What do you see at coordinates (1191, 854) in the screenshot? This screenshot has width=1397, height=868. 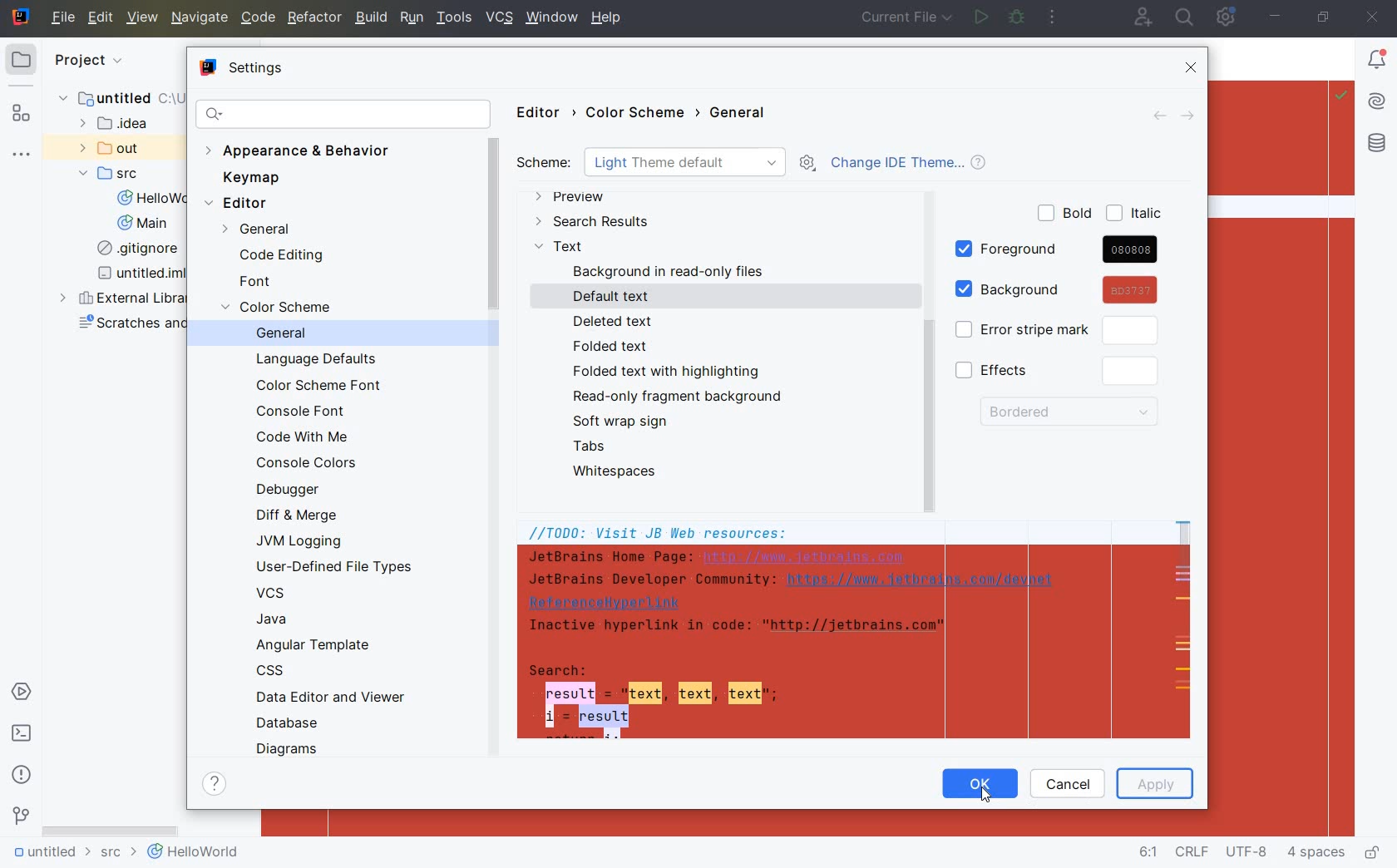 I see `line separator` at bounding box center [1191, 854].